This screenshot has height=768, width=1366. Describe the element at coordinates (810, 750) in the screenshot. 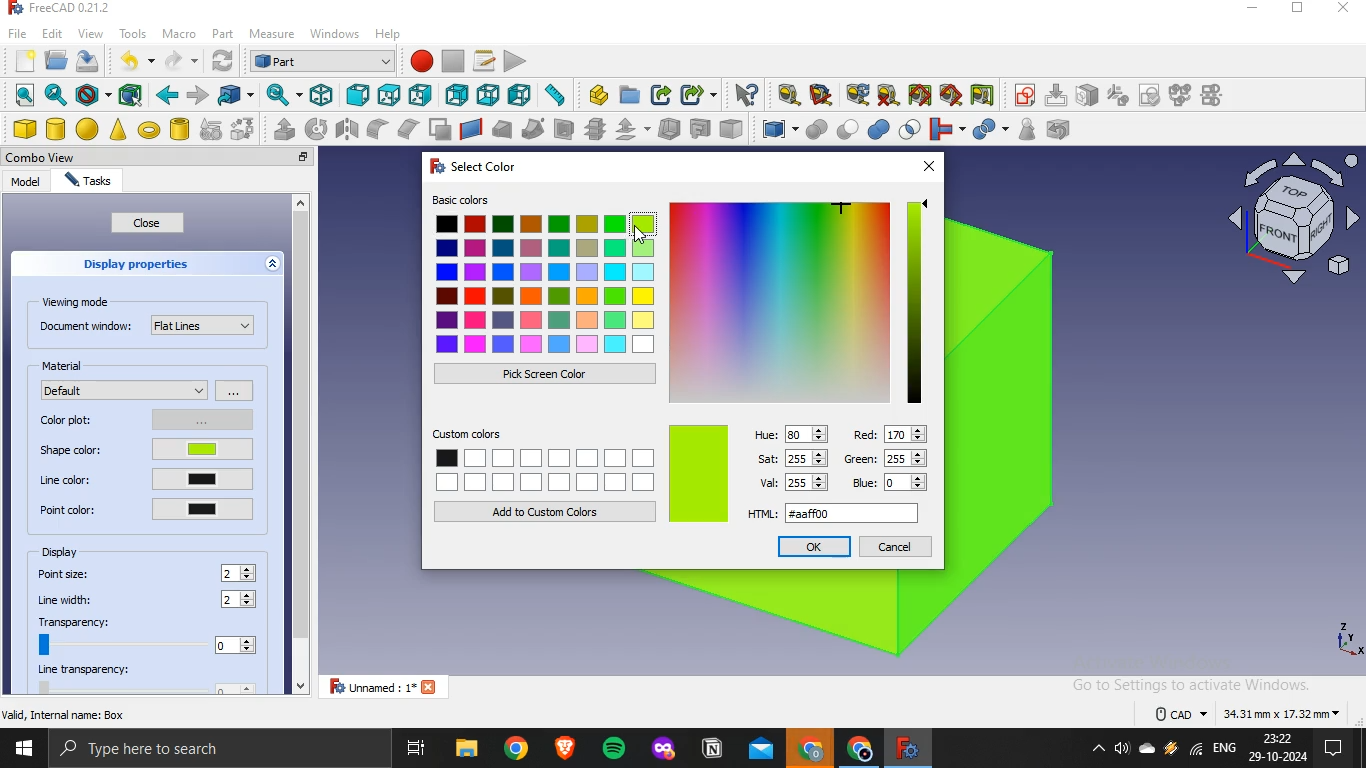

I see `google chrome` at that location.